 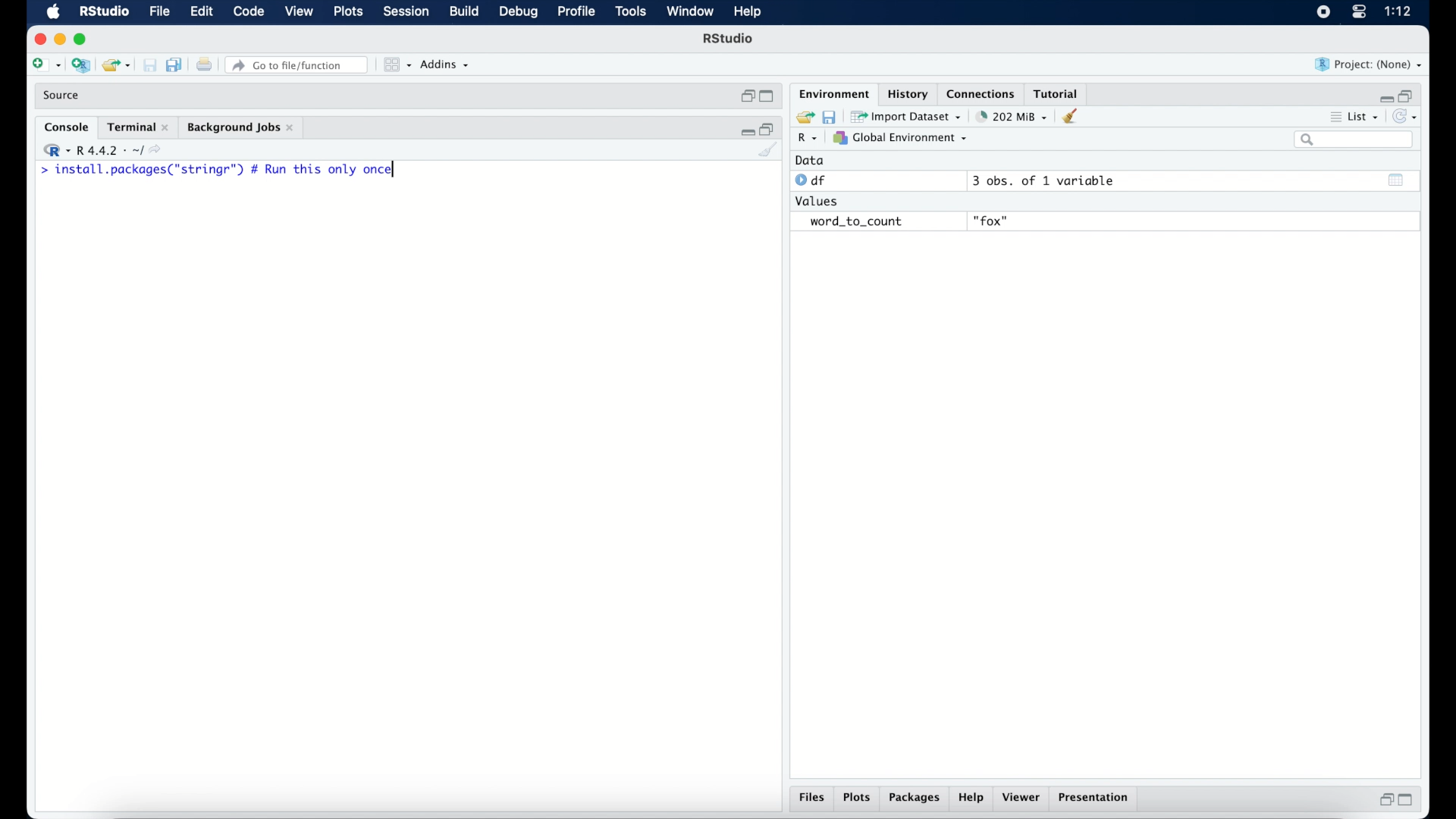 I want to click on values, so click(x=818, y=199).